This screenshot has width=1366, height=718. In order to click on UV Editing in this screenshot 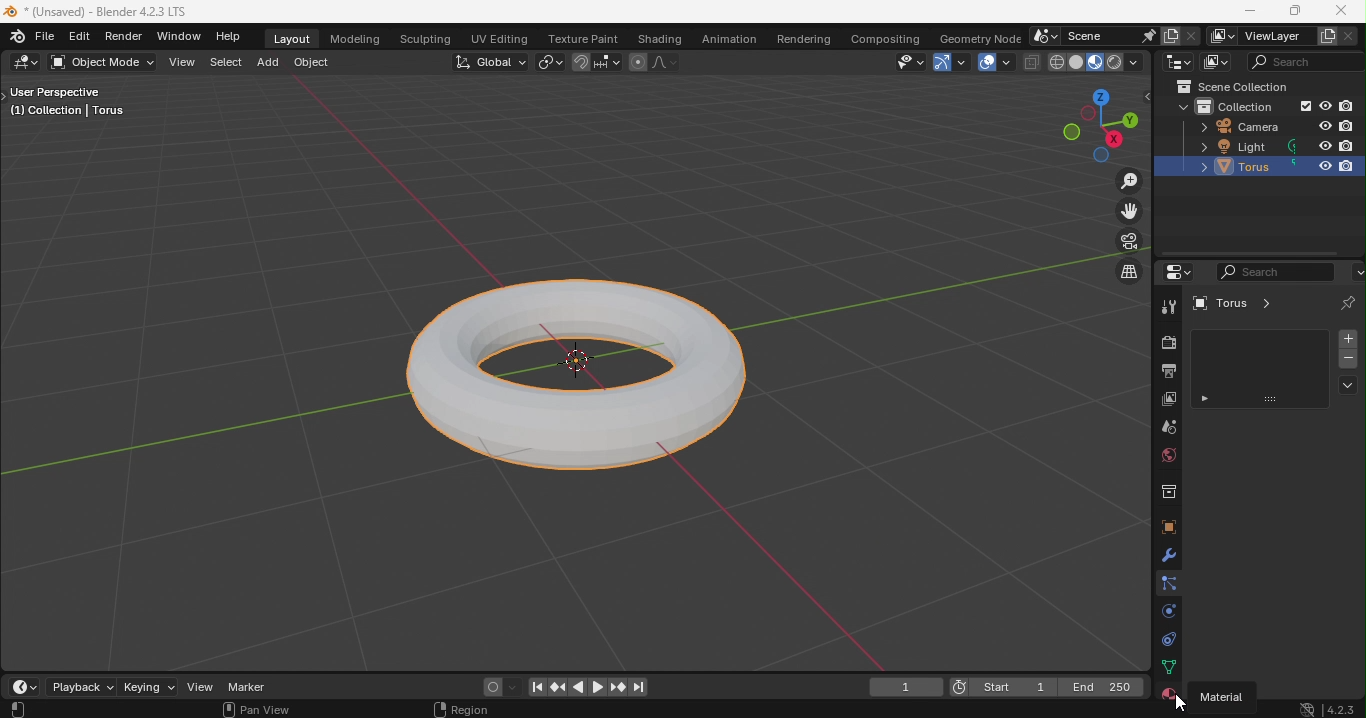, I will do `click(500, 37)`.